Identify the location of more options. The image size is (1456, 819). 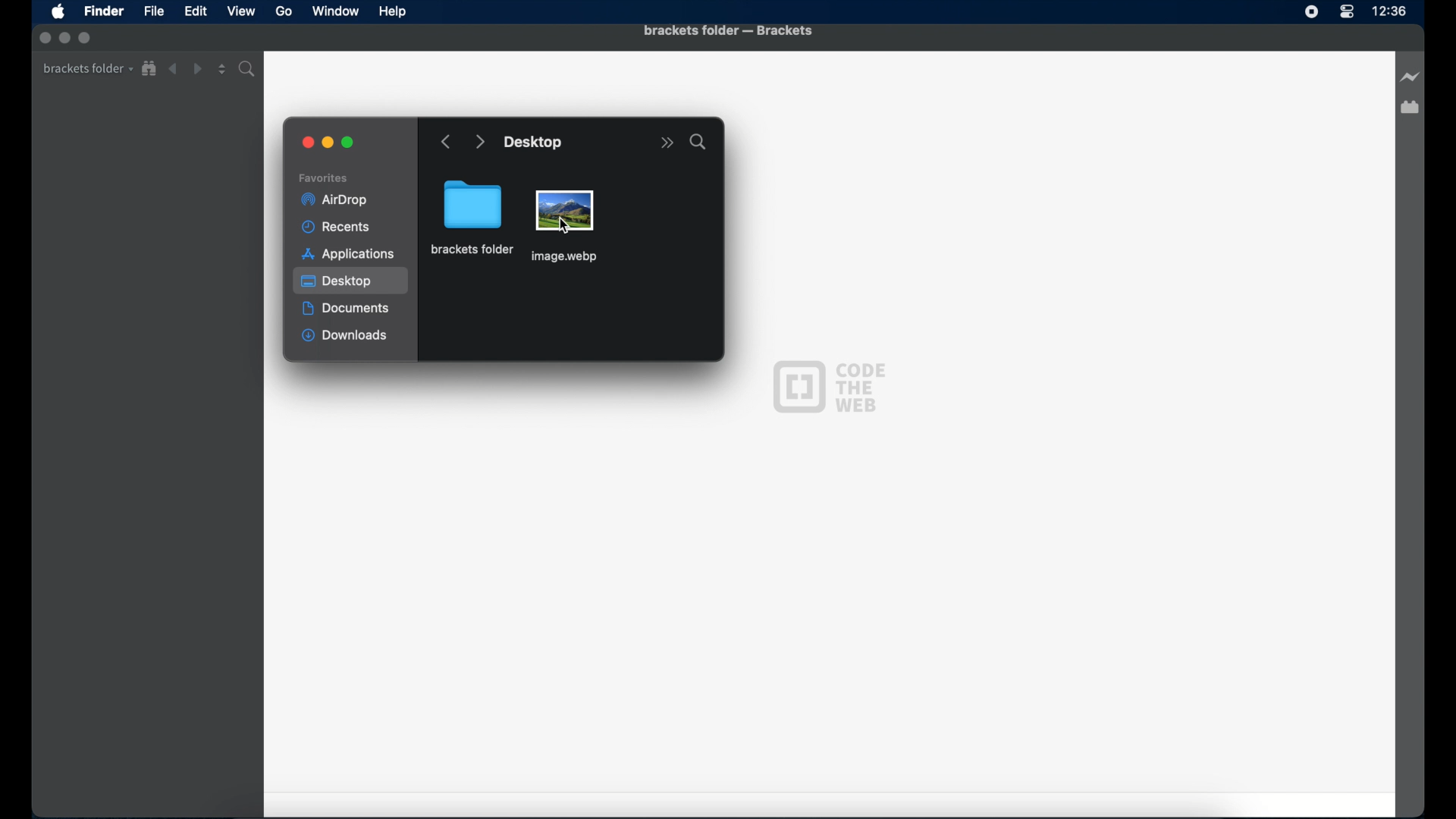
(667, 143).